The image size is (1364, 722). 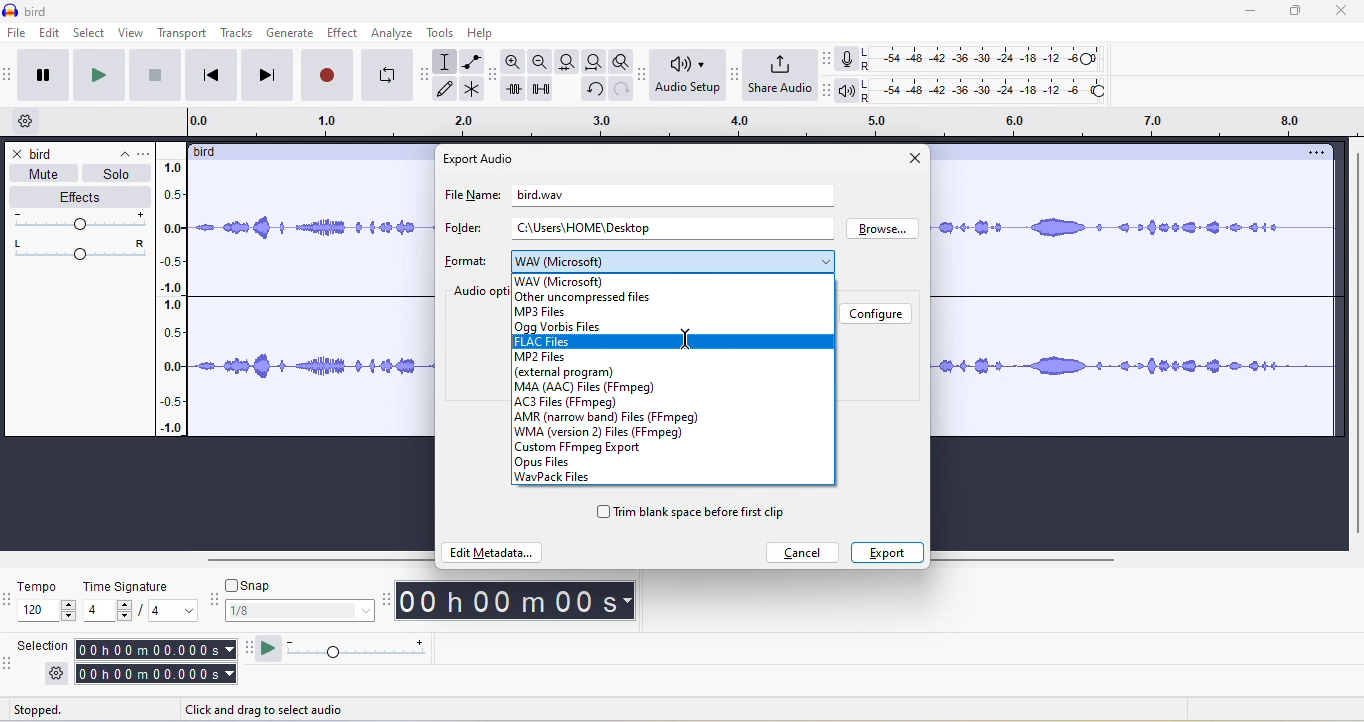 I want to click on collapse, so click(x=117, y=150).